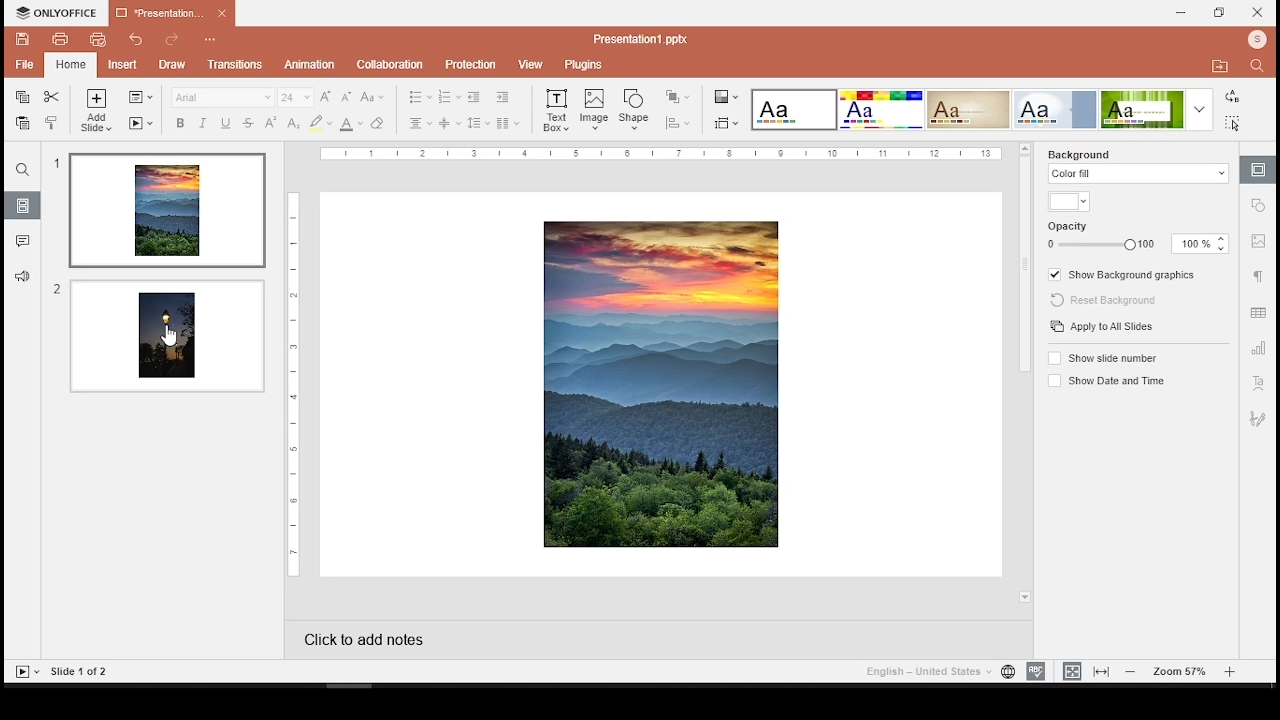  I want to click on superscript, so click(271, 123).